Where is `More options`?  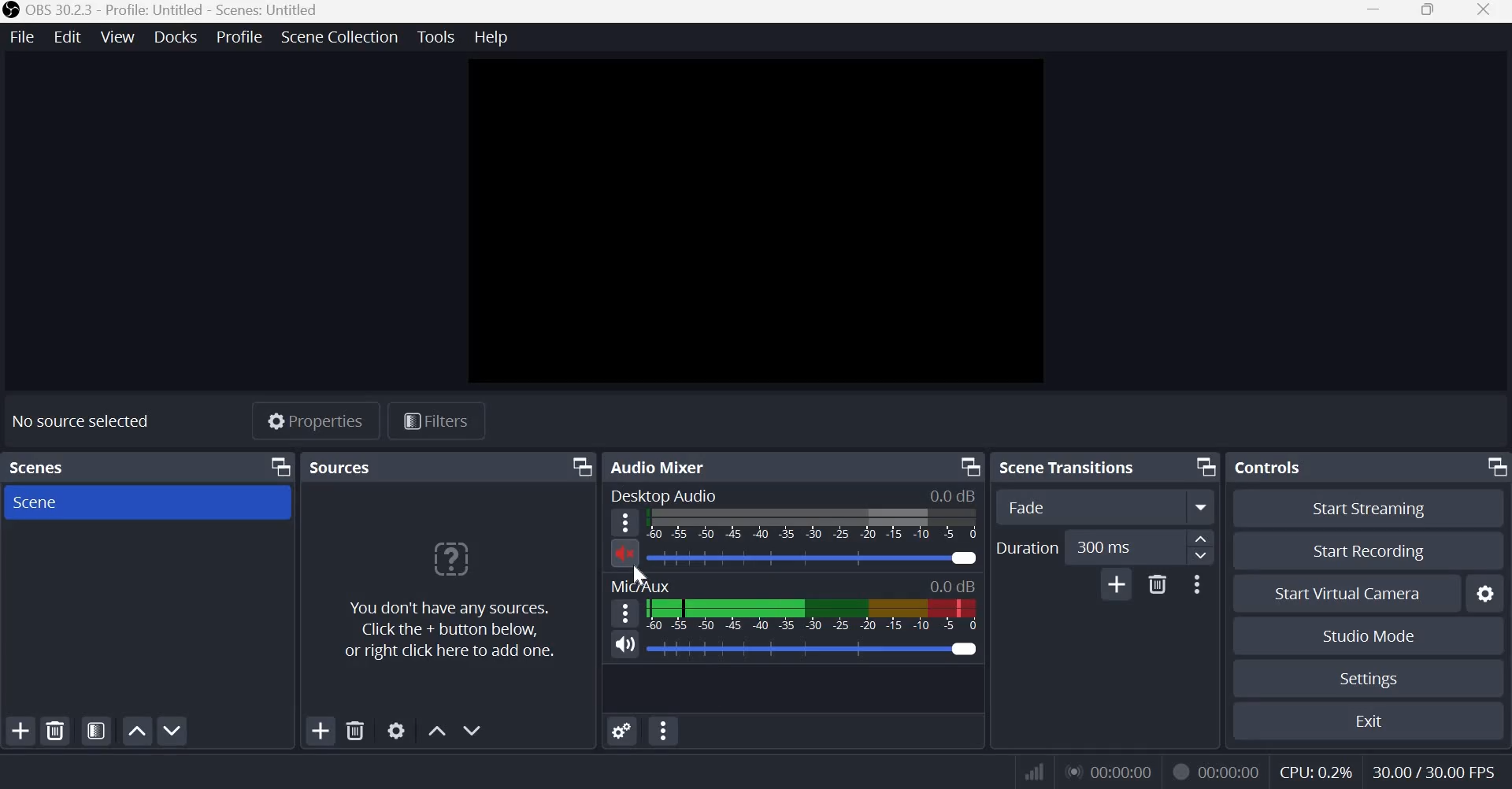 More options is located at coordinates (1196, 584).